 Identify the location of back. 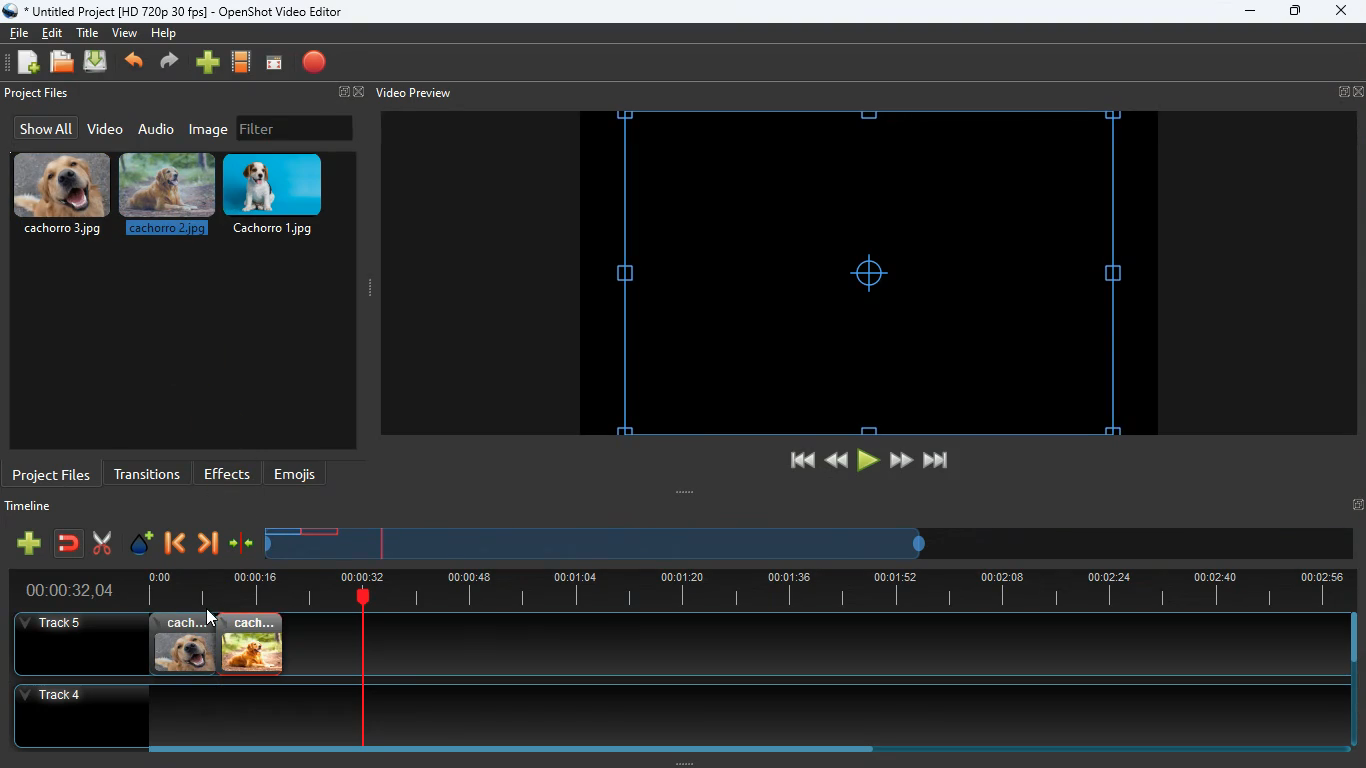
(834, 460).